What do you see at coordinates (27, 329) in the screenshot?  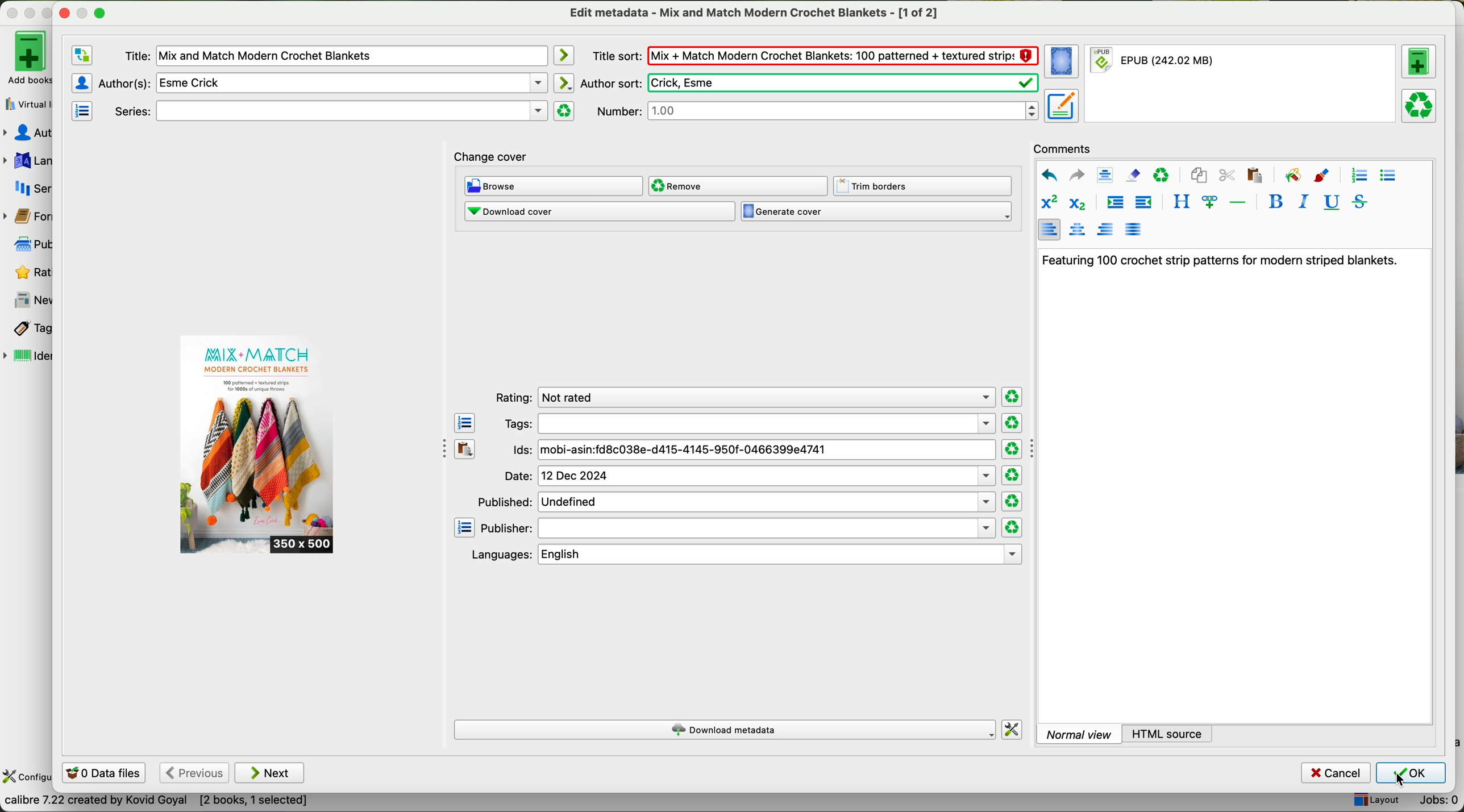 I see `tags` at bounding box center [27, 329].